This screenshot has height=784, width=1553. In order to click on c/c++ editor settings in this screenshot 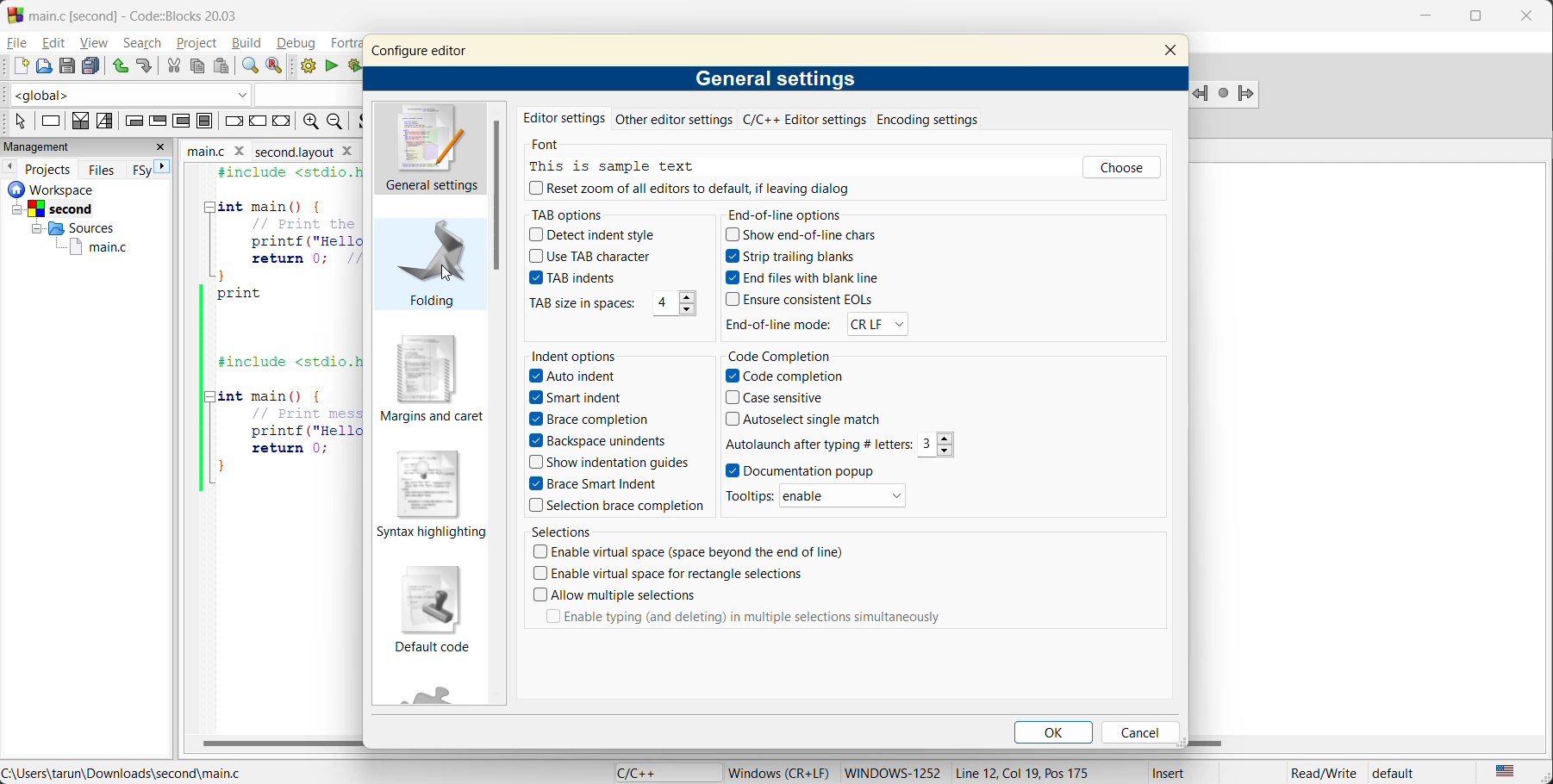, I will do `click(805, 120)`.